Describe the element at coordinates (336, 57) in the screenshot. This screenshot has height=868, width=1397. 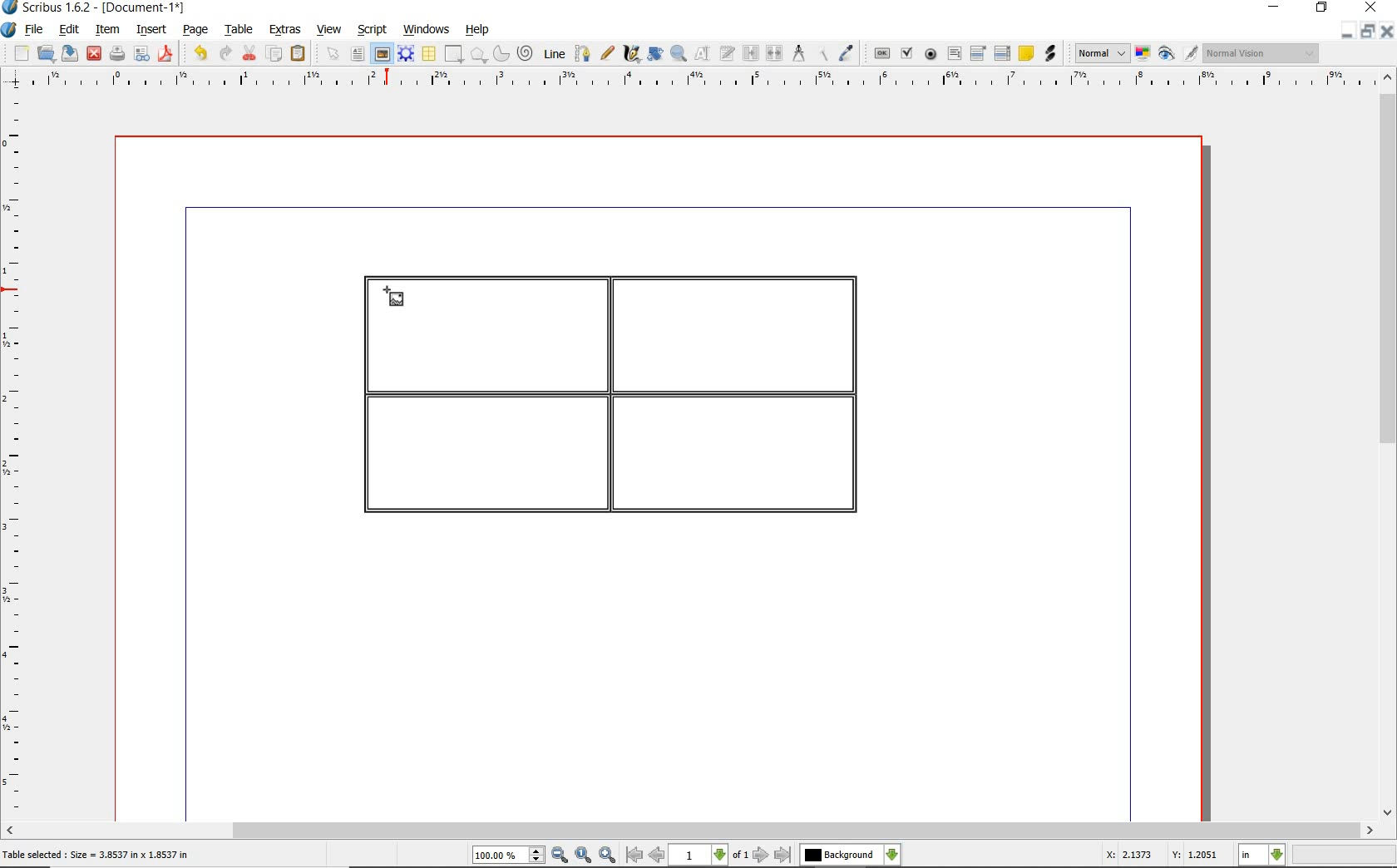
I see `select` at that location.